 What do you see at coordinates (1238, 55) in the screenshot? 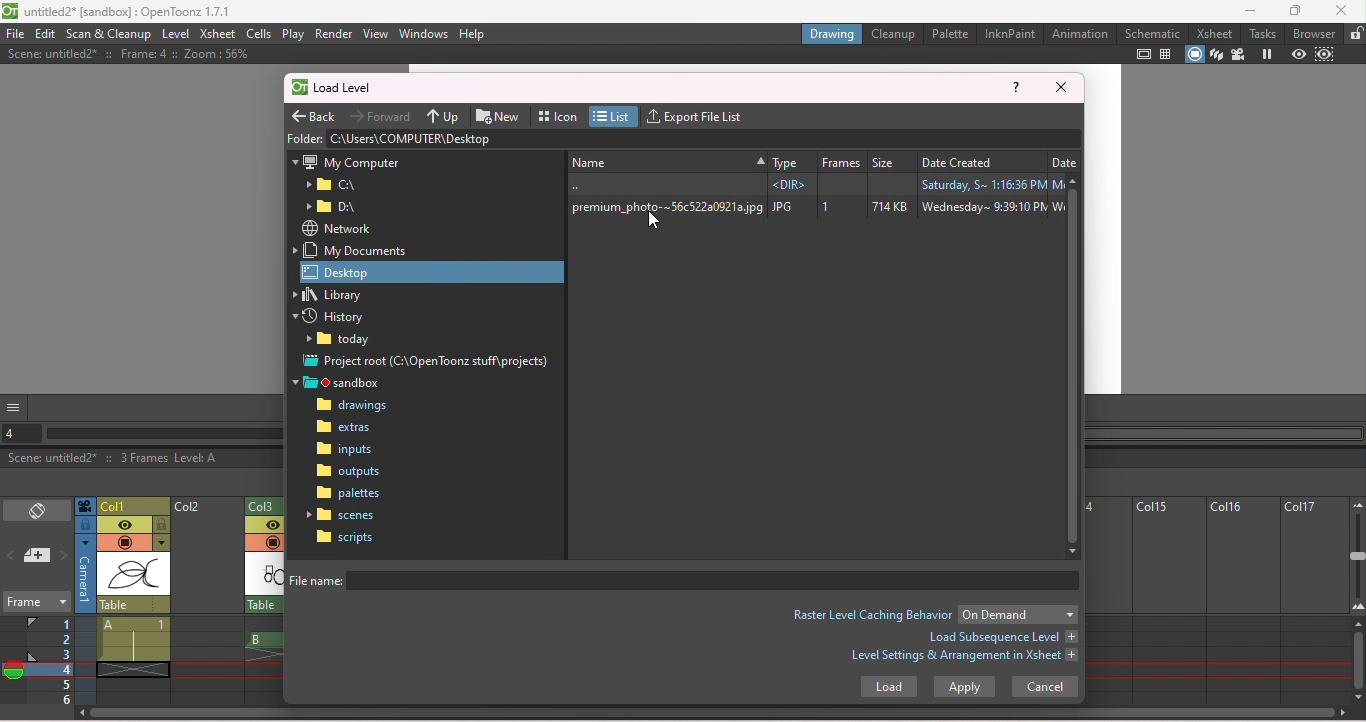
I see `Camera view` at bounding box center [1238, 55].